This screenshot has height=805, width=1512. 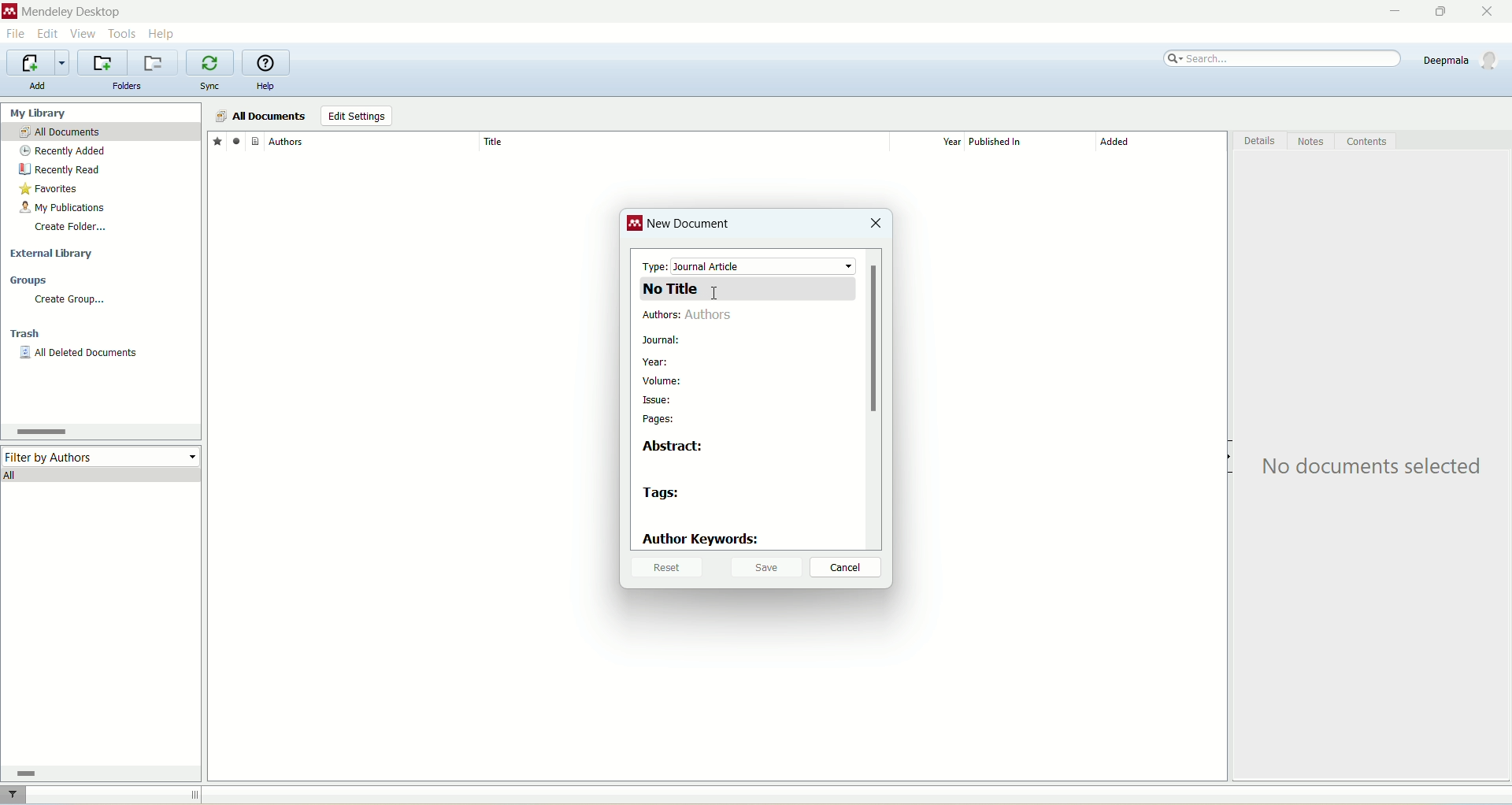 What do you see at coordinates (46, 34) in the screenshot?
I see `edit` at bounding box center [46, 34].